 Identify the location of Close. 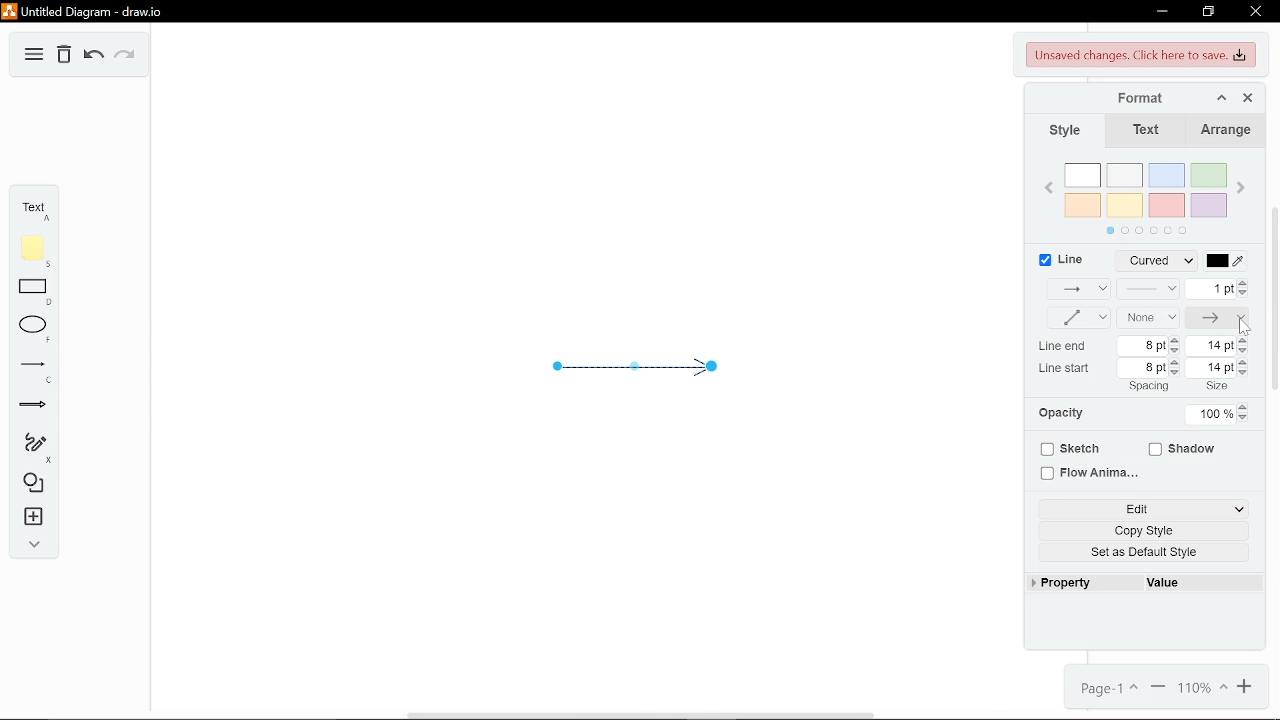
(1256, 13).